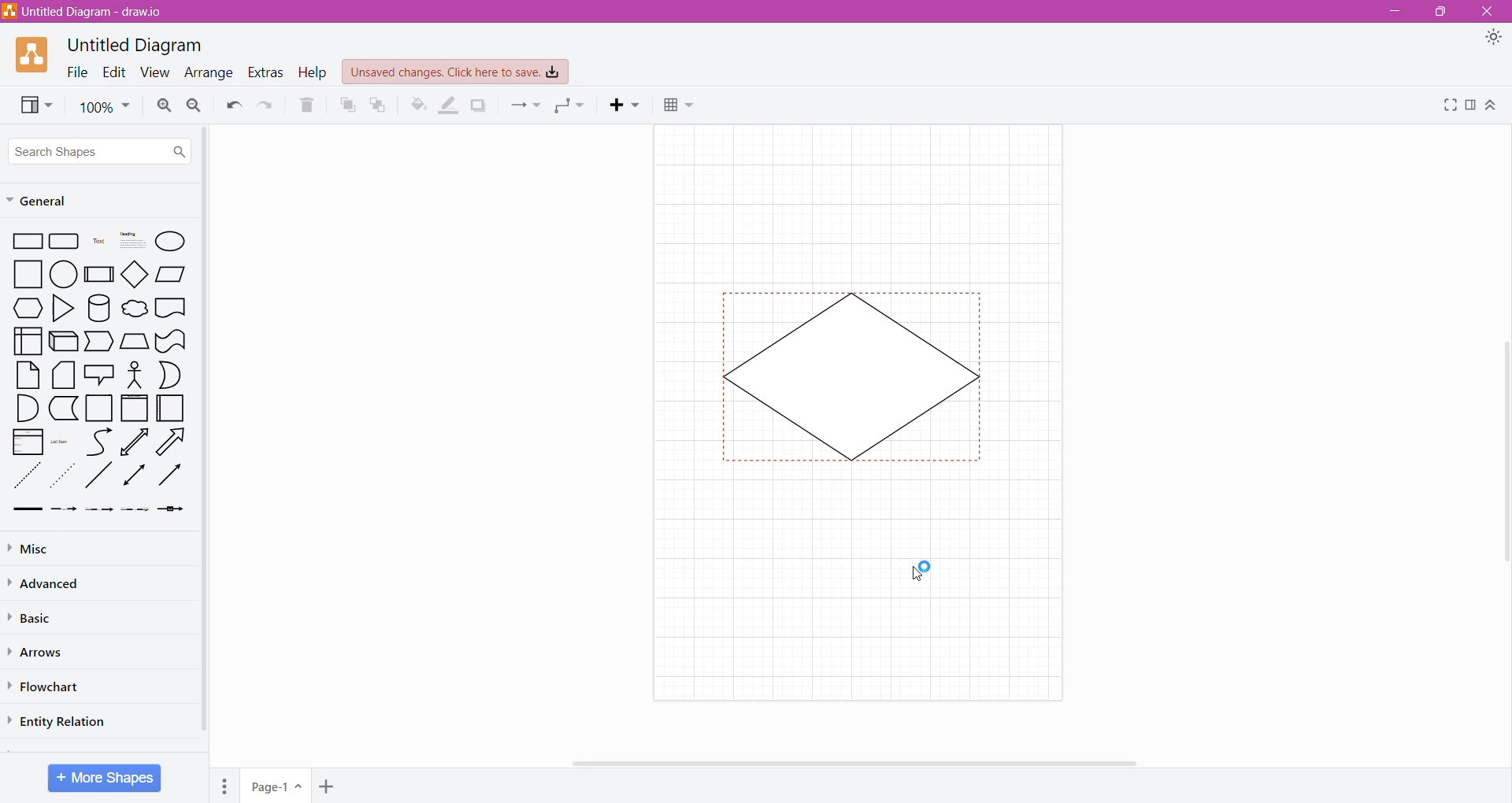  I want to click on Minimize, so click(1394, 12).